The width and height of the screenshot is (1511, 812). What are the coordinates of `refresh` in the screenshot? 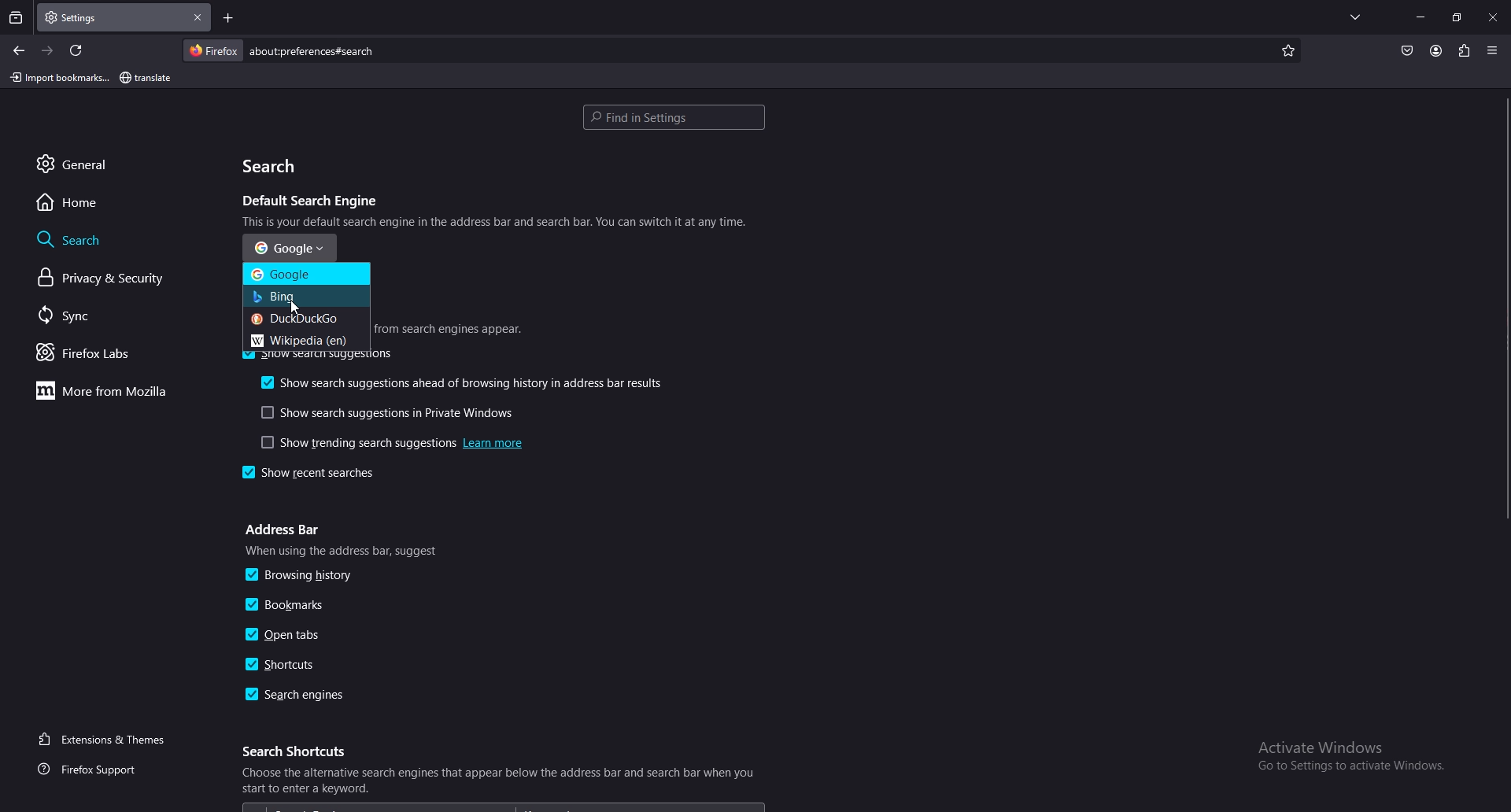 It's located at (79, 50).